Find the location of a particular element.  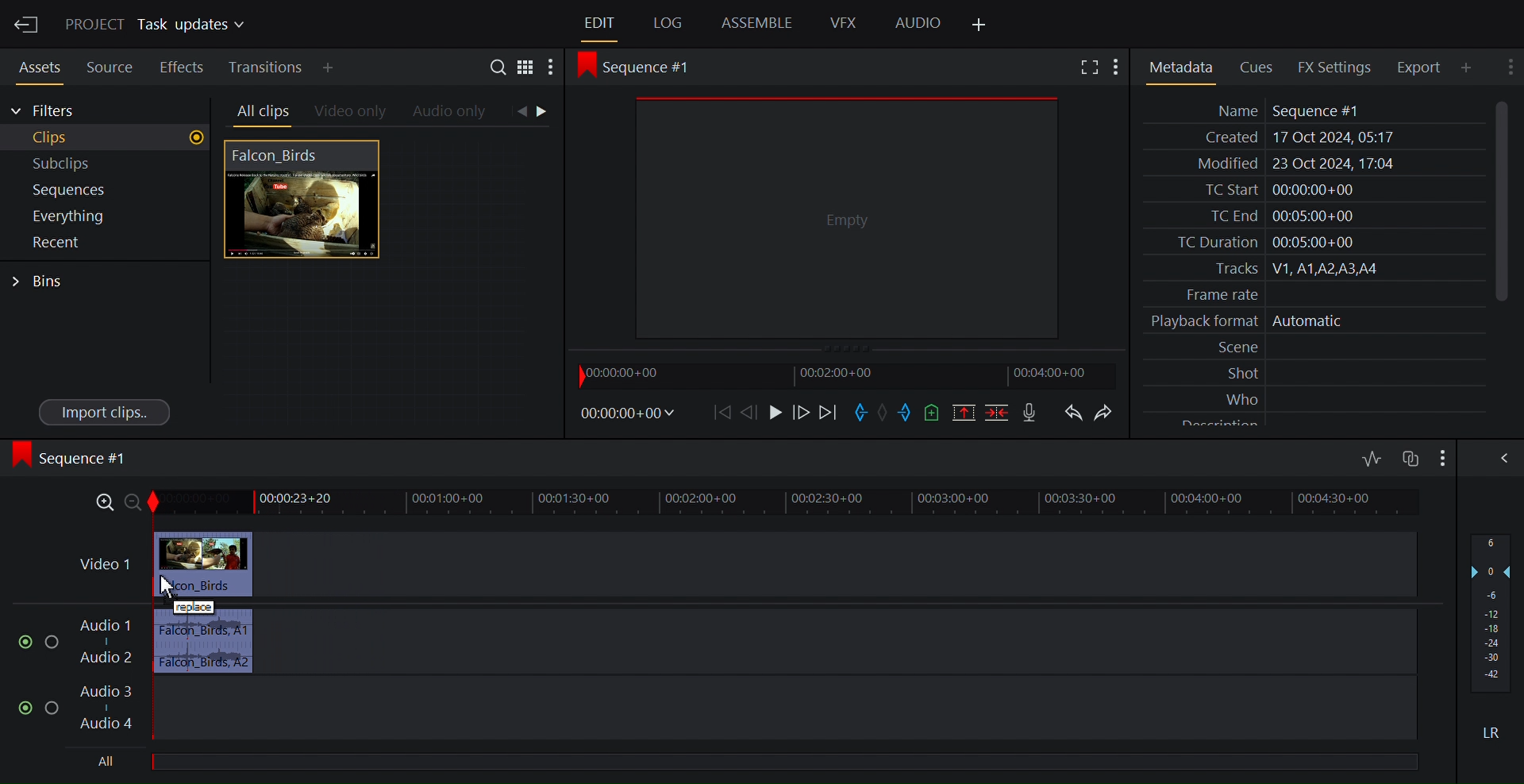

Clip to go forward is located at coordinates (545, 111).